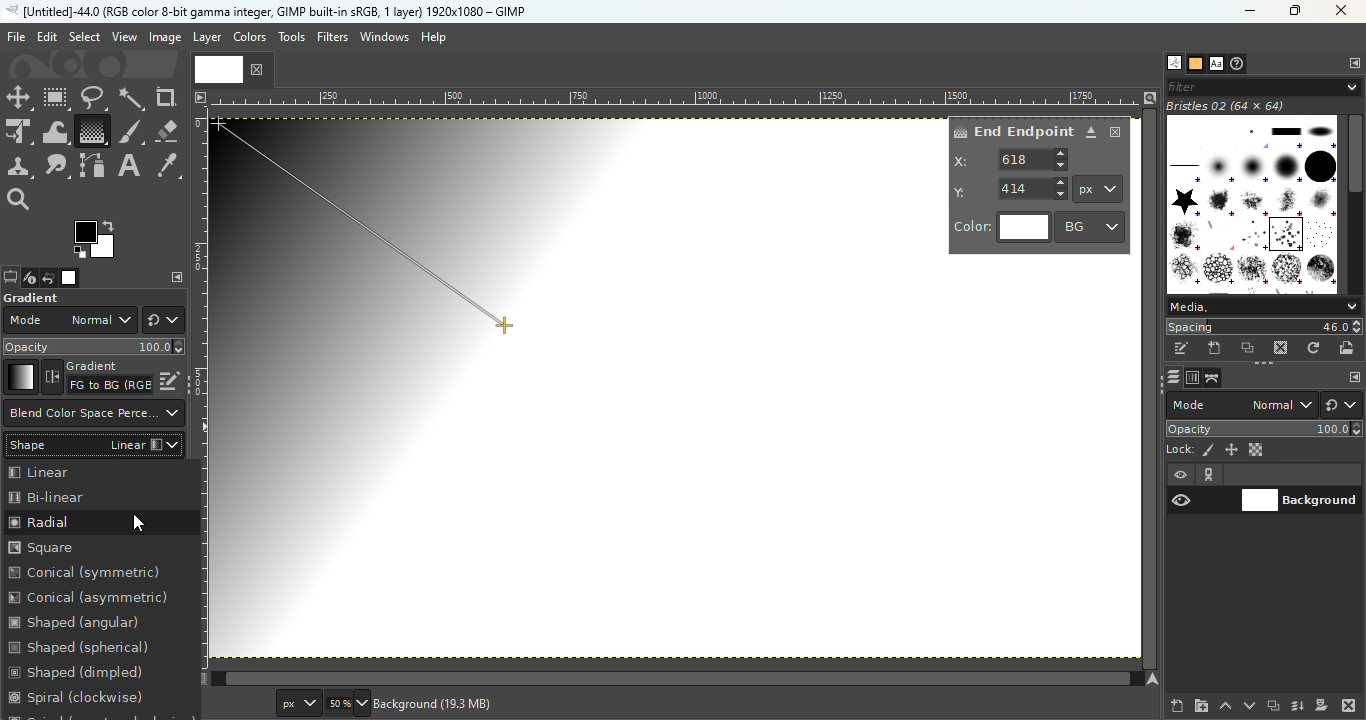 The height and width of the screenshot is (720, 1366). What do you see at coordinates (163, 320) in the screenshot?
I see `Switch to another group of modes` at bounding box center [163, 320].